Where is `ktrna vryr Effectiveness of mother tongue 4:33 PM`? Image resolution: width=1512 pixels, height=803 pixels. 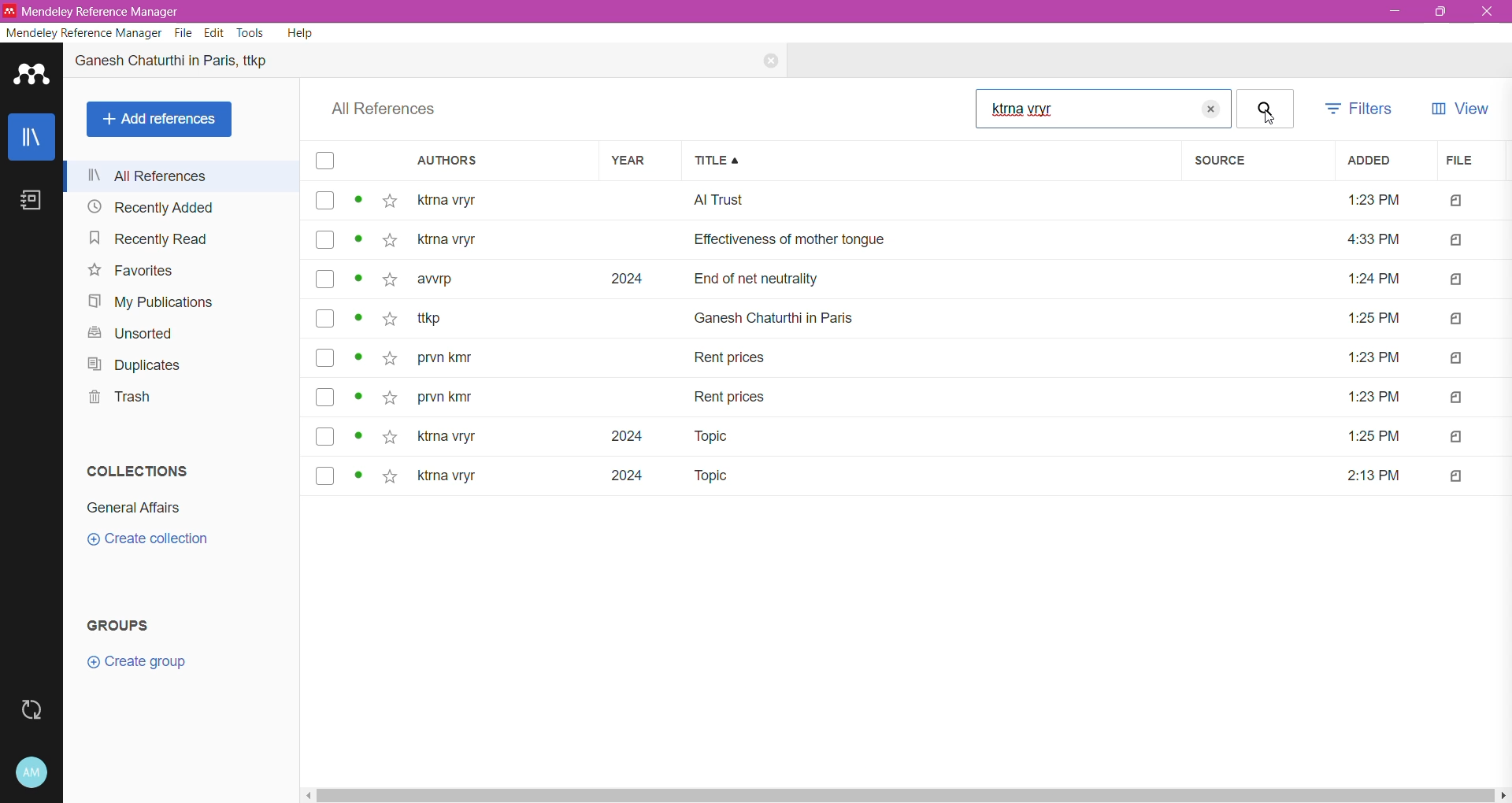
ktrna vryr Effectiveness of mother tongue 4:33 PM is located at coordinates (910, 240).